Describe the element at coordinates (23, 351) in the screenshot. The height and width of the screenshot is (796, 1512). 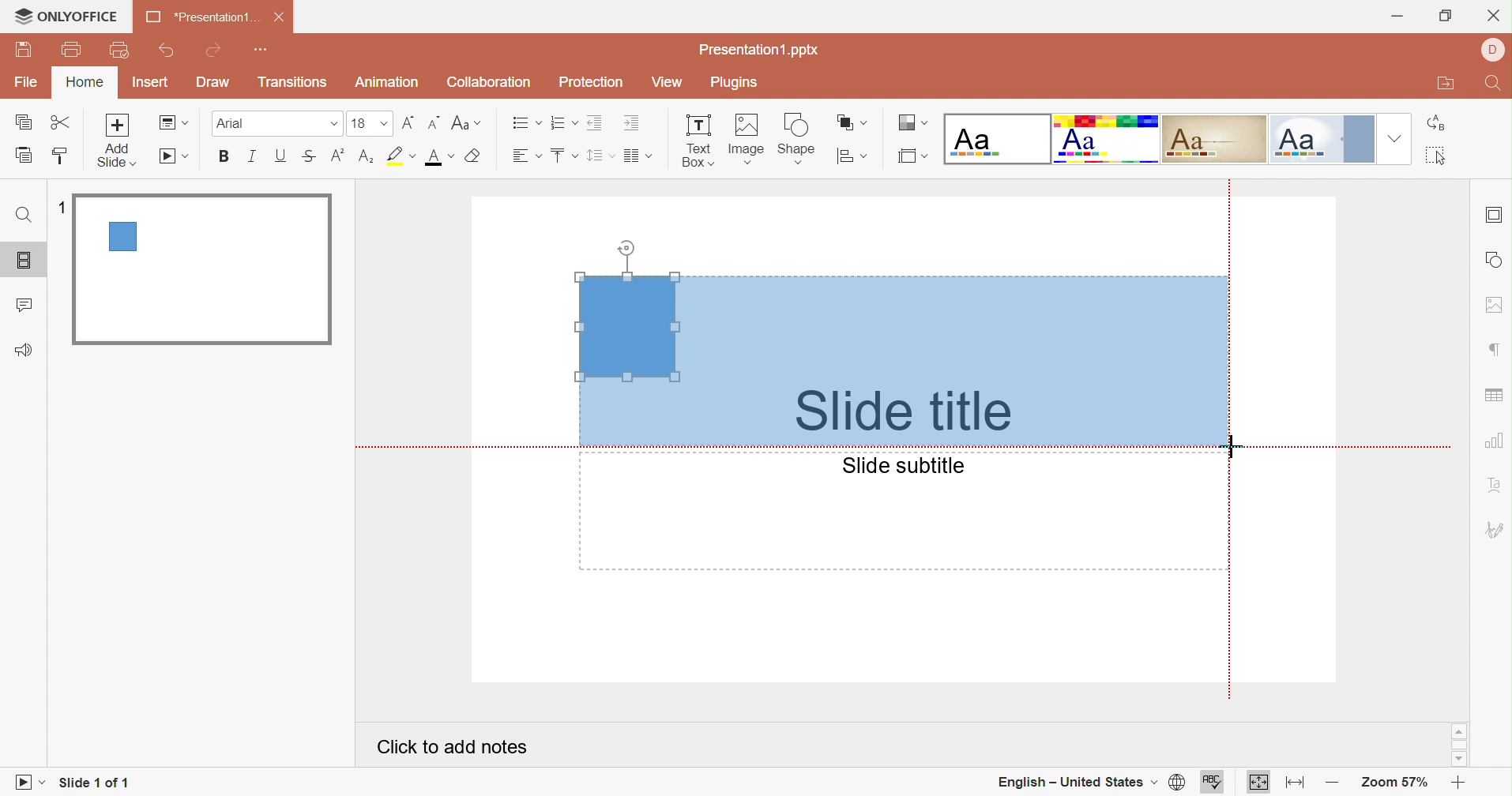
I see `Support & Feedback` at that location.